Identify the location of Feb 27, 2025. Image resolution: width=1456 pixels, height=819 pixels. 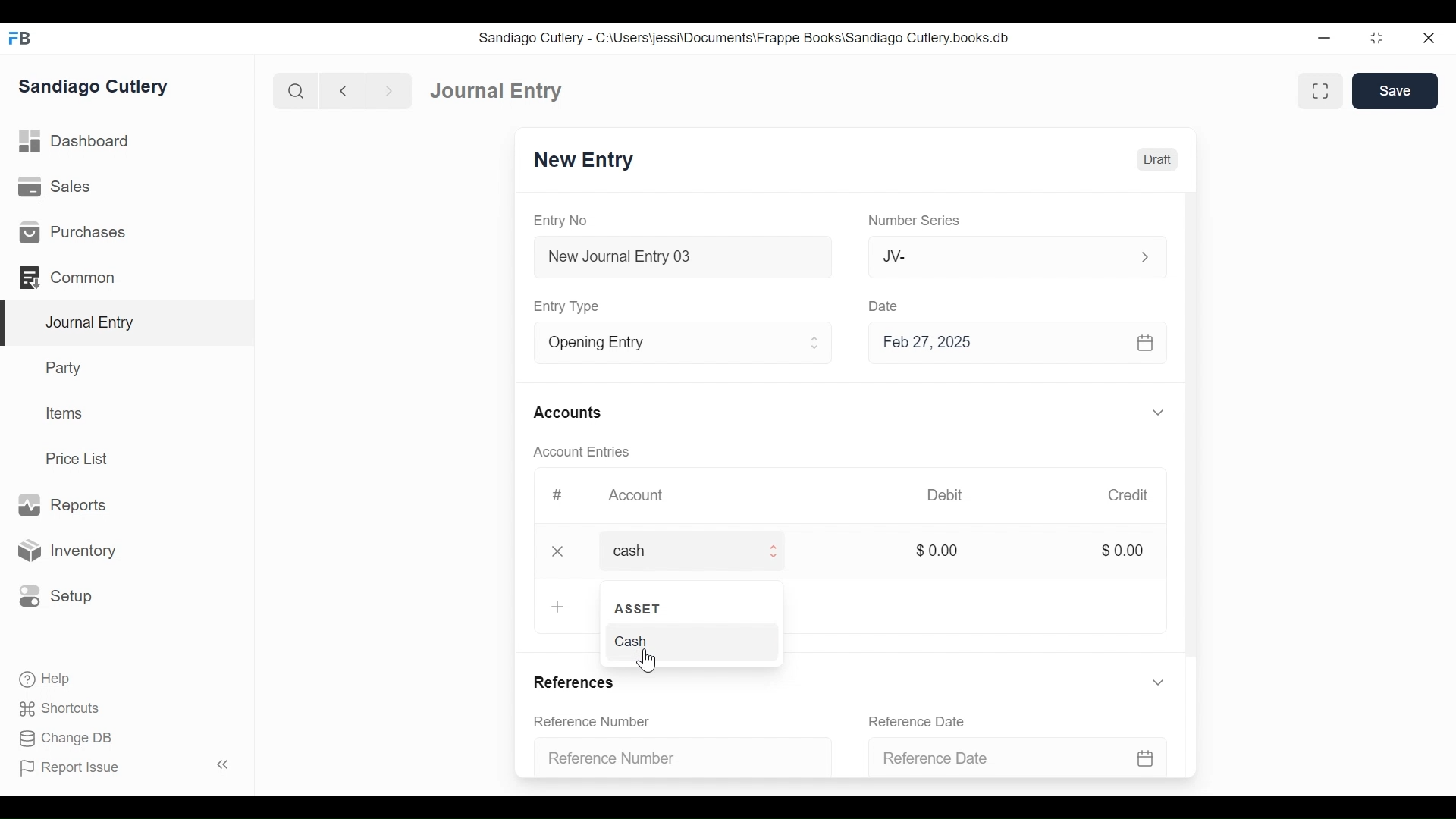
(1015, 344).